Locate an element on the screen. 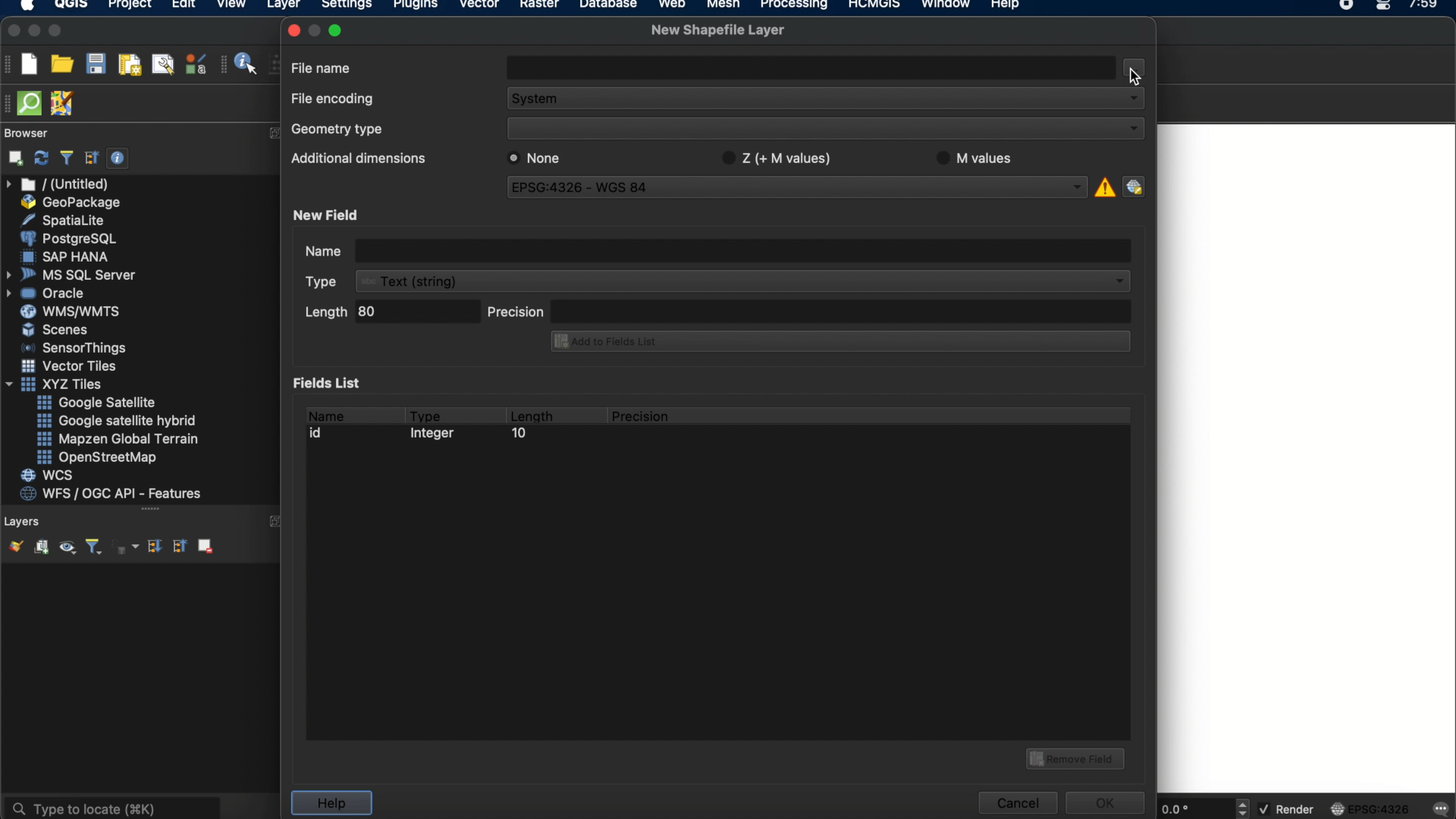  maximize is located at coordinates (338, 30).